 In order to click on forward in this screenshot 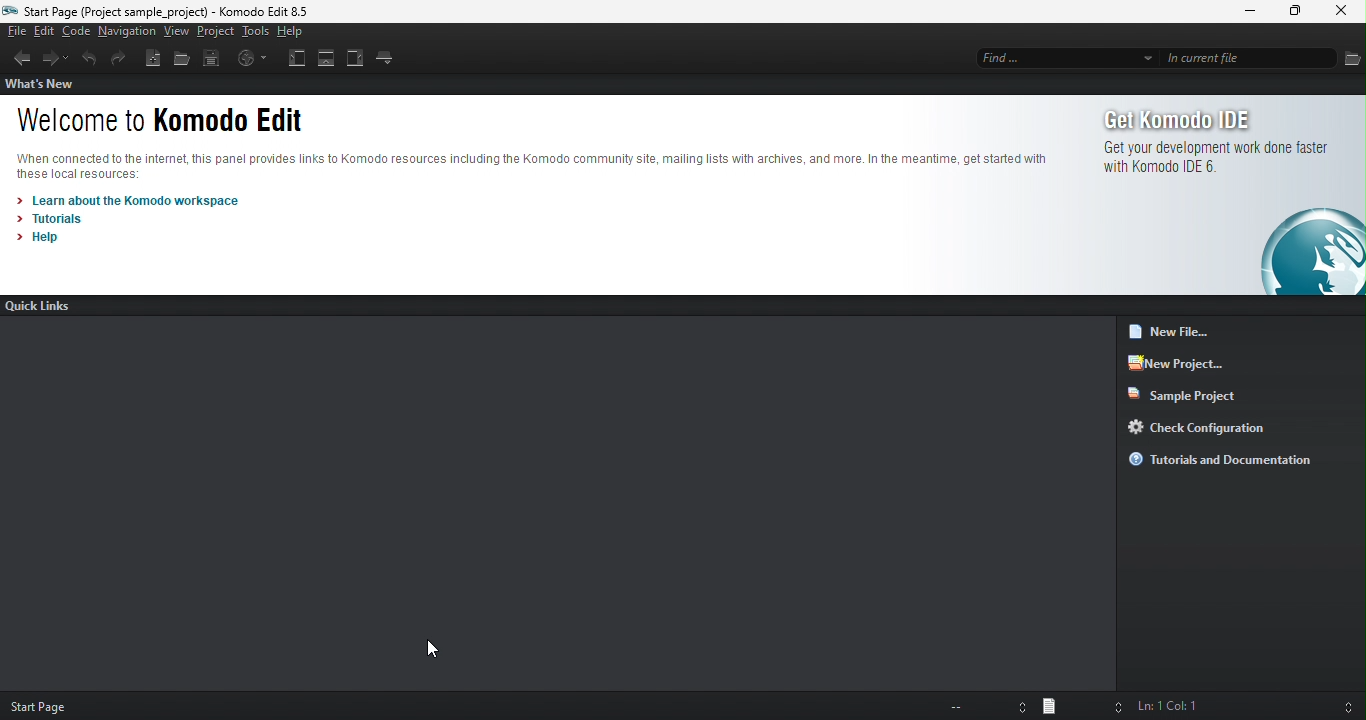, I will do `click(56, 56)`.